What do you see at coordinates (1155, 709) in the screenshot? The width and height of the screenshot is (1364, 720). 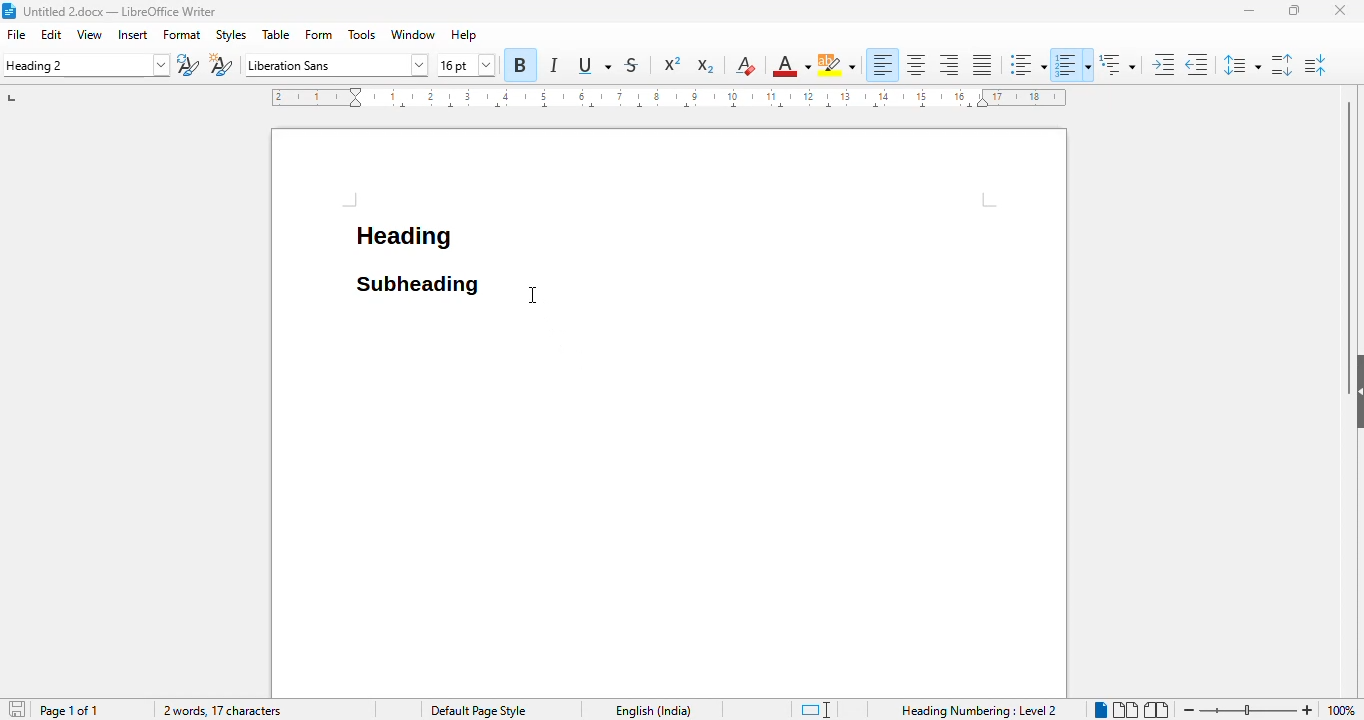 I see `book view` at bounding box center [1155, 709].